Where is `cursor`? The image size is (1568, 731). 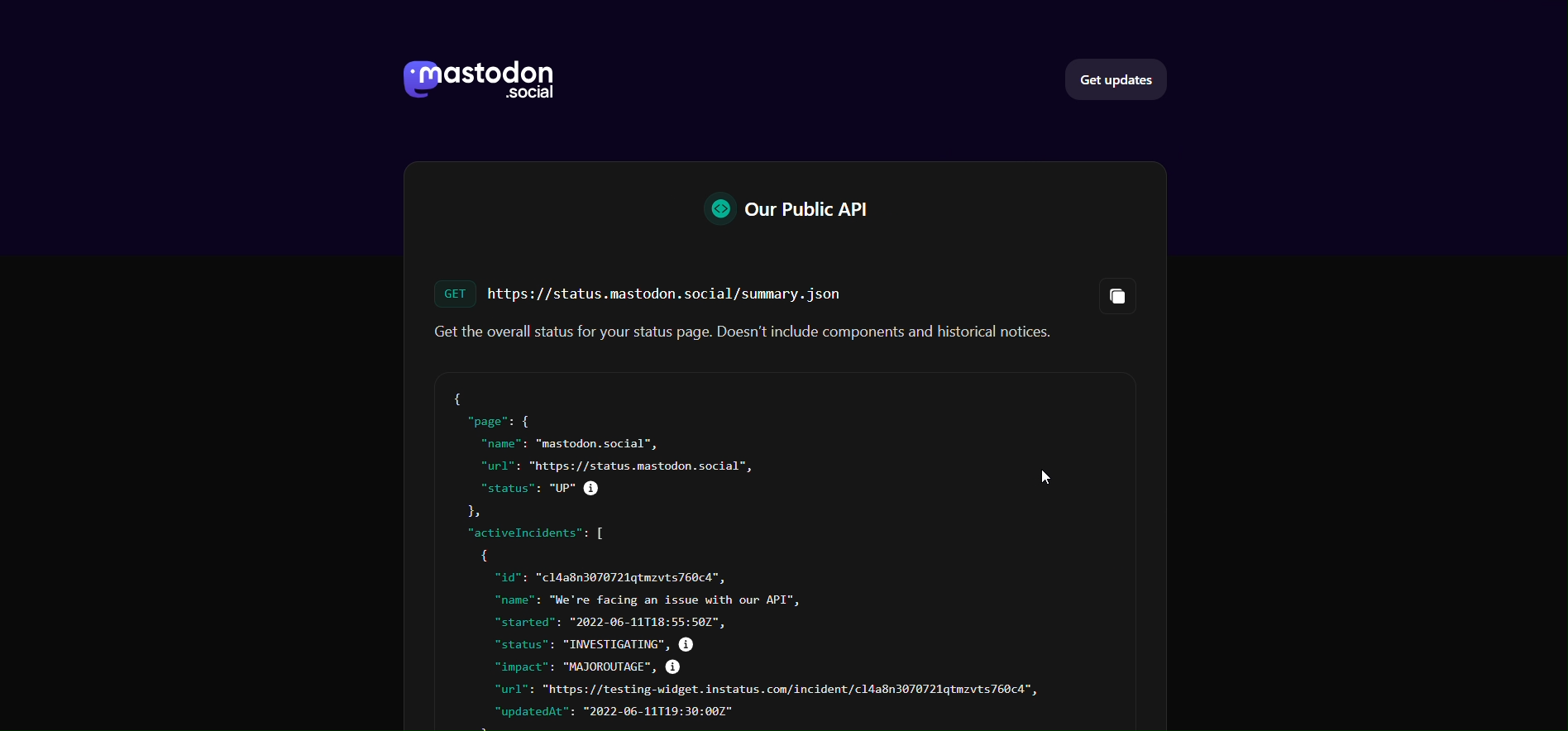 cursor is located at coordinates (1049, 476).